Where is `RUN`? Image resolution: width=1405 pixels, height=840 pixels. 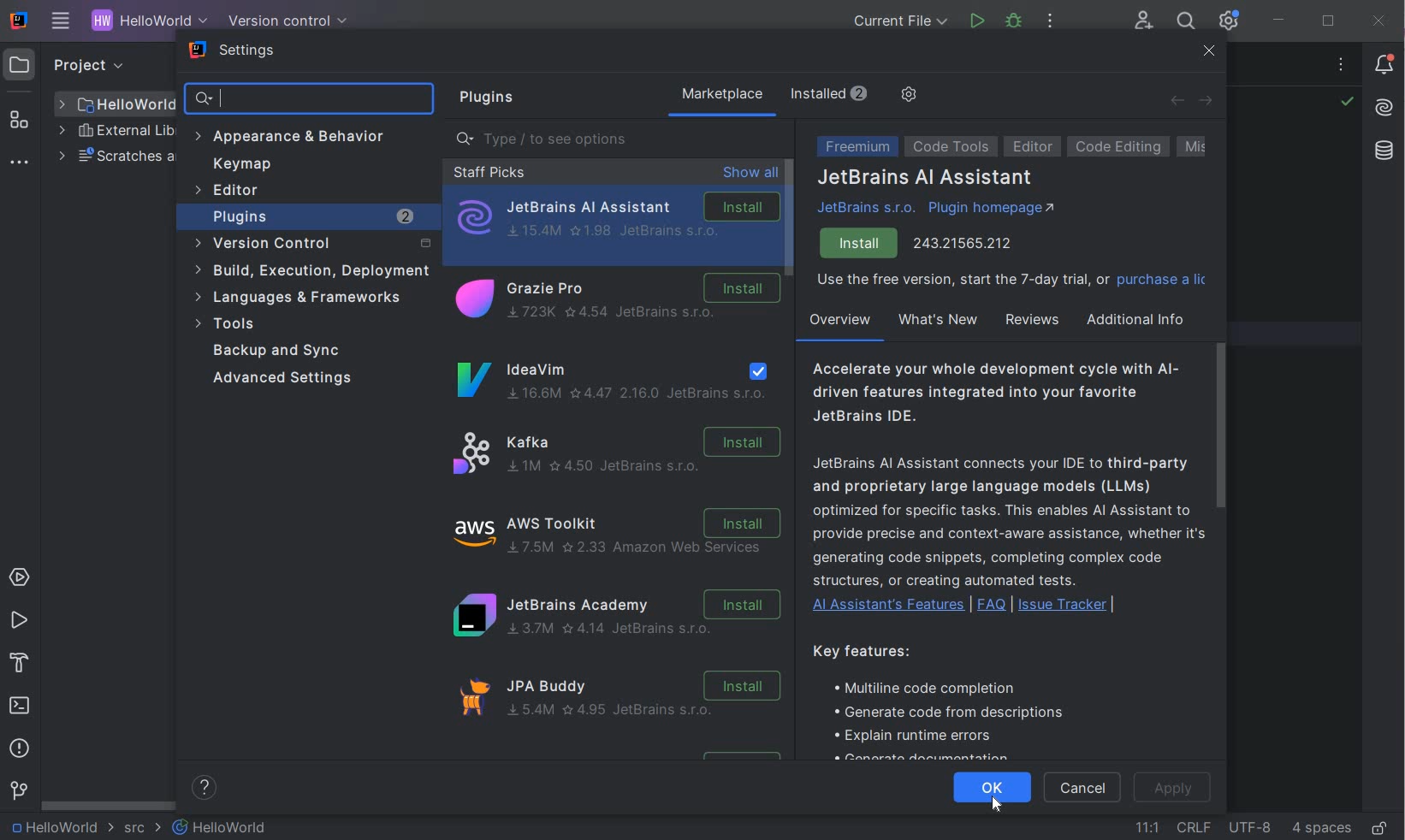 RUN is located at coordinates (19, 621).